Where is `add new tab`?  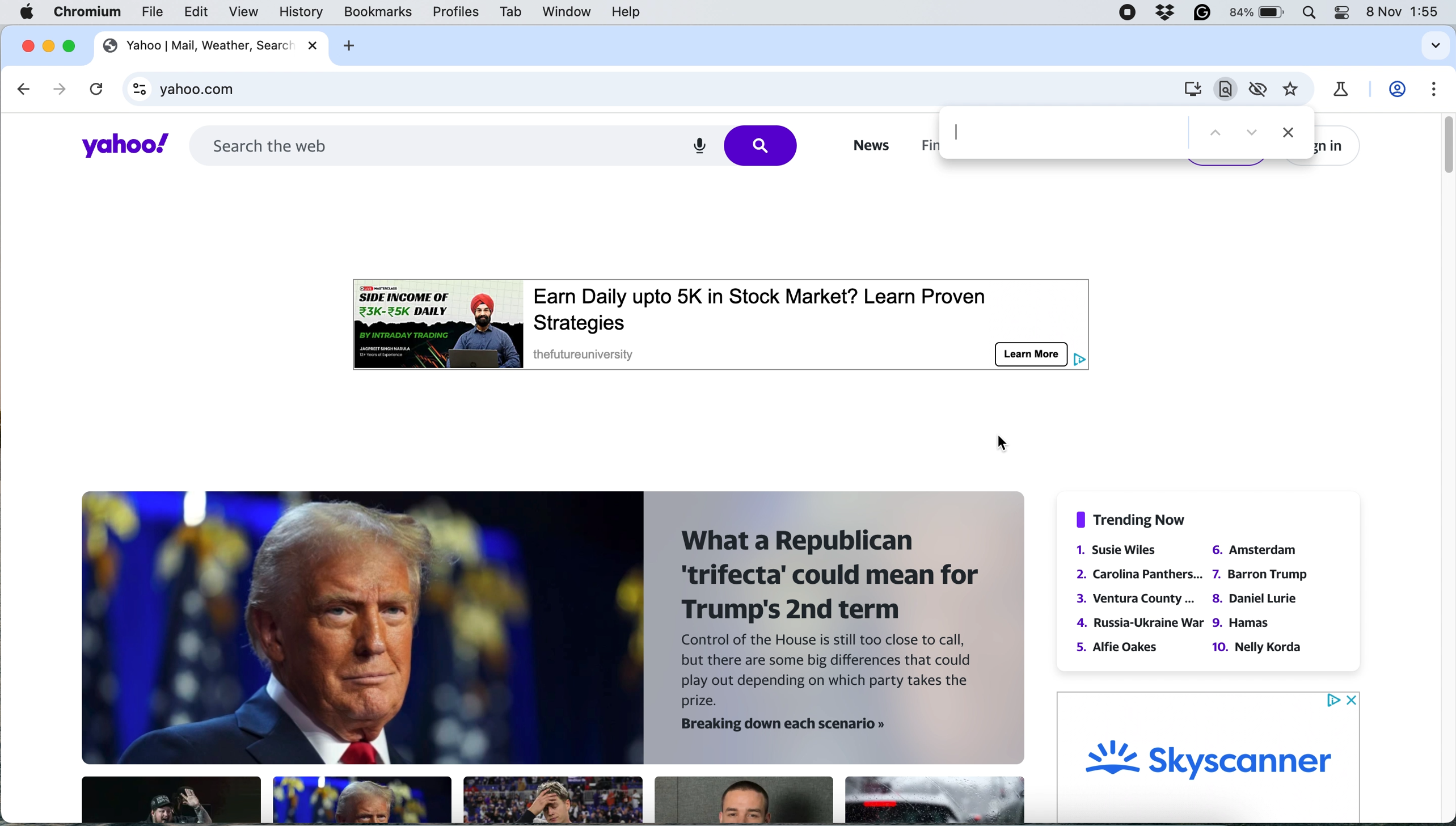 add new tab is located at coordinates (349, 45).